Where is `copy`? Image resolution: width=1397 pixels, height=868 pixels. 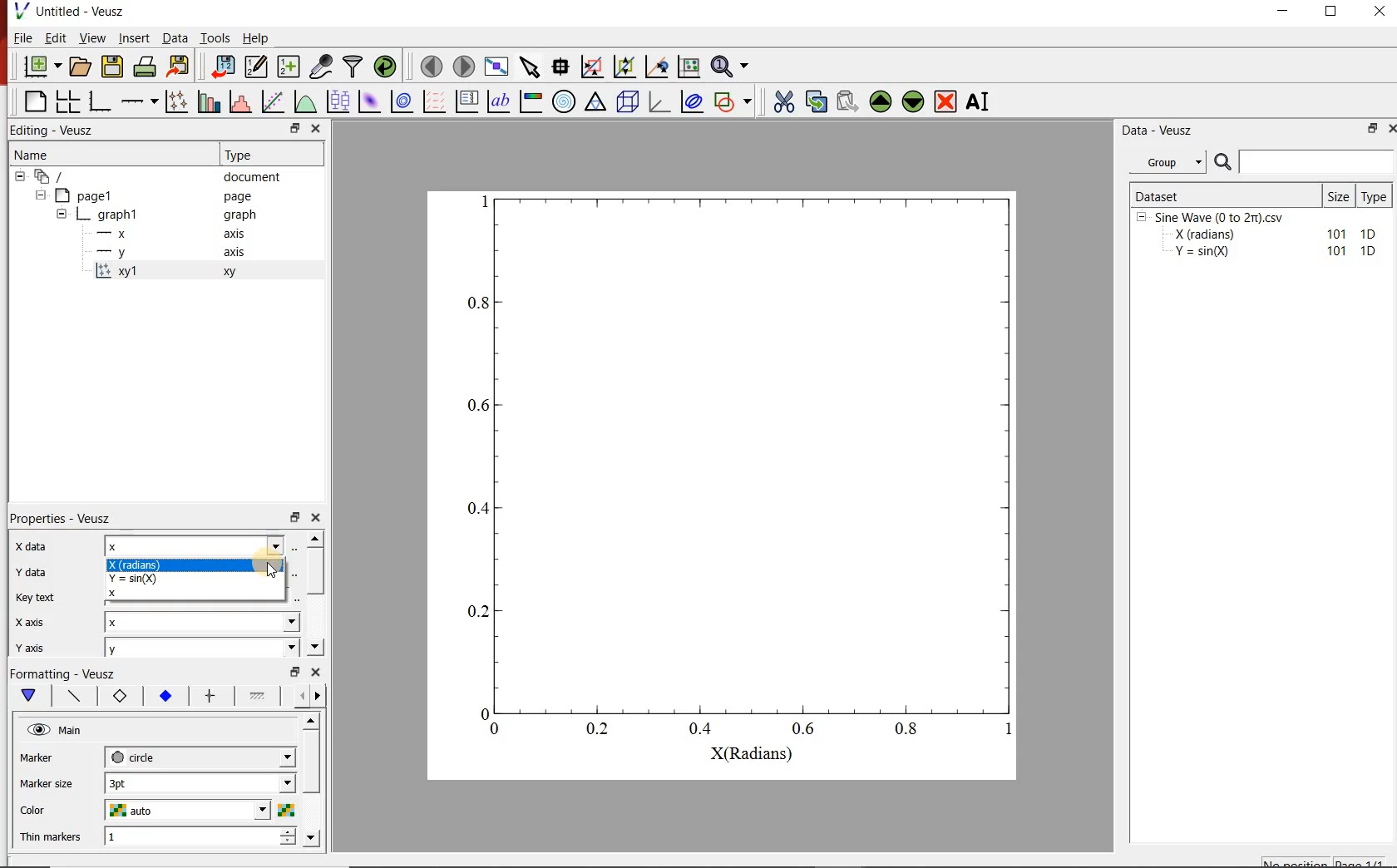
copy is located at coordinates (816, 100).